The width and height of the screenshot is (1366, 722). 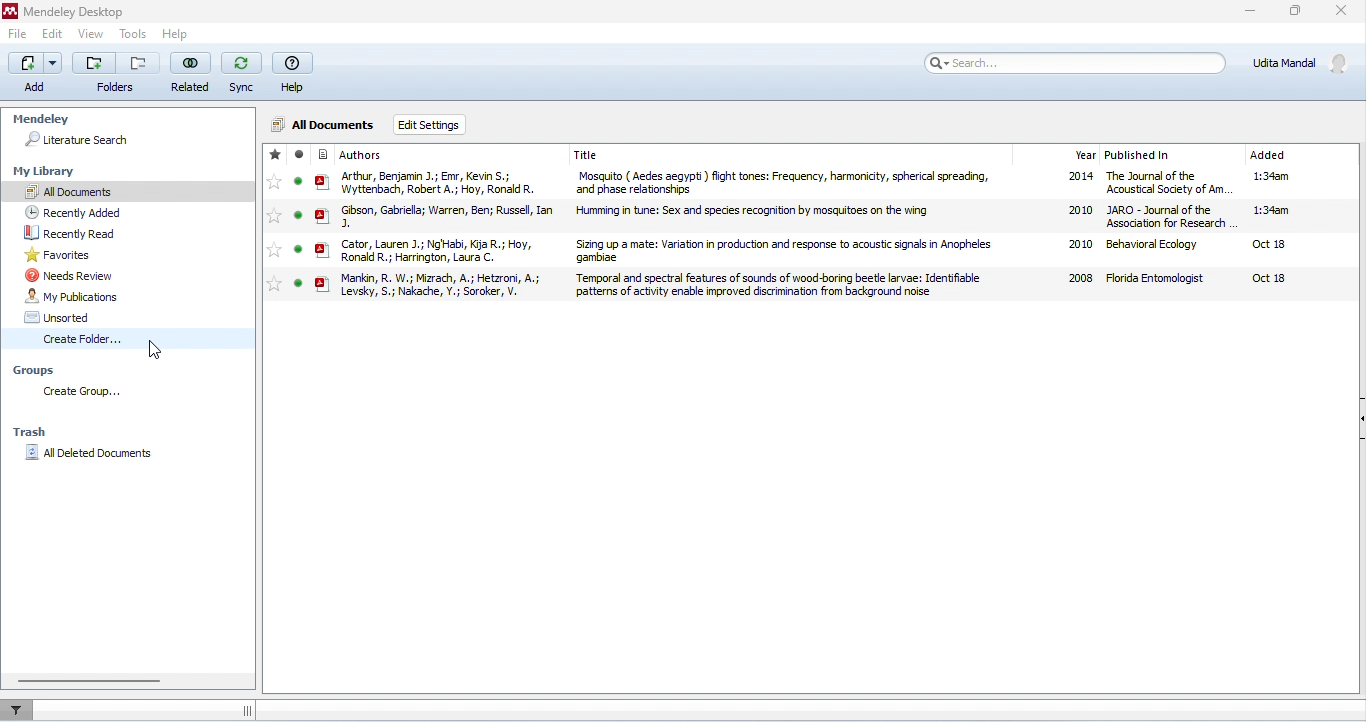 I want to click on published in, so click(x=1140, y=156).